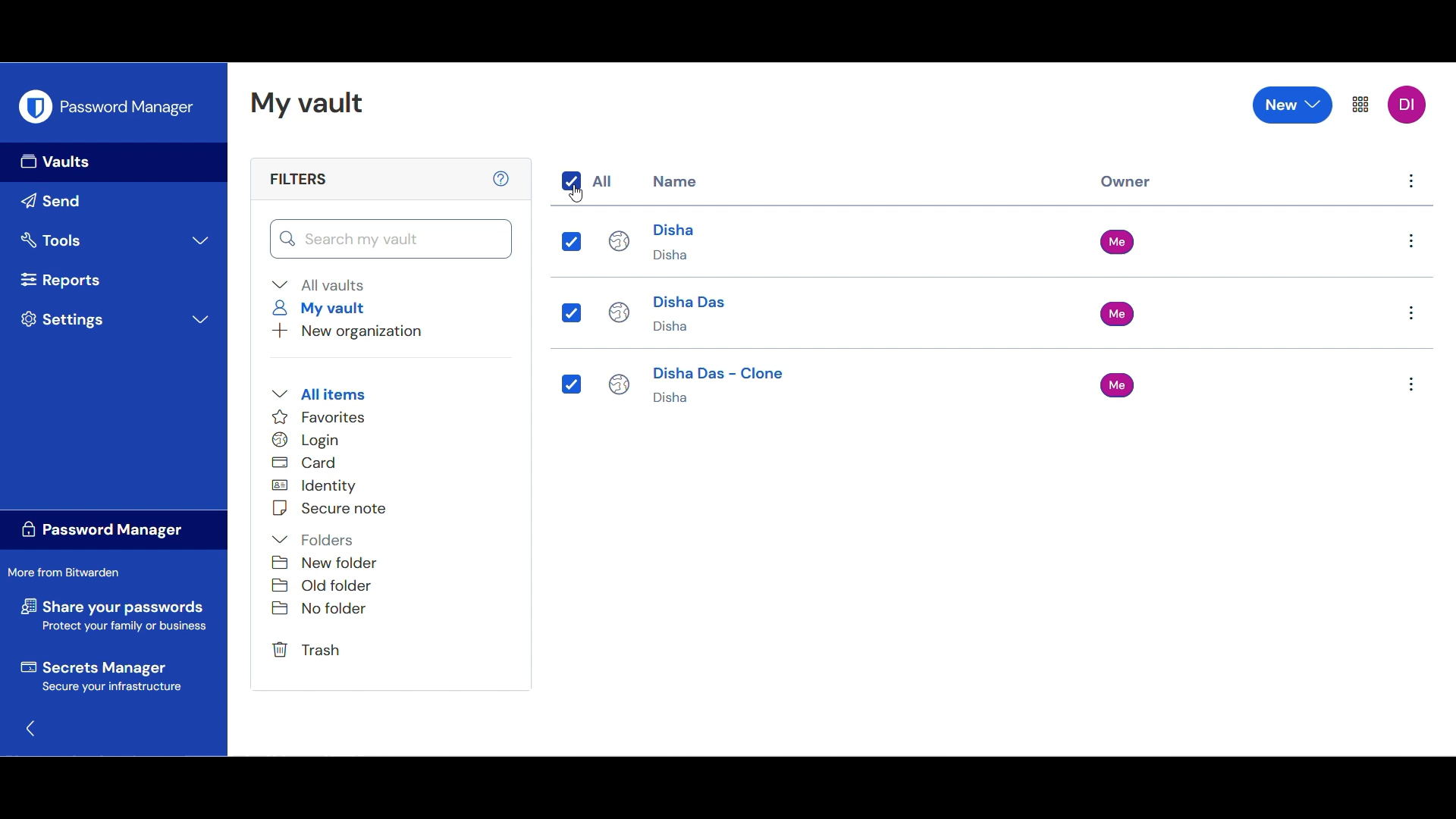 The width and height of the screenshot is (1456, 819). What do you see at coordinates (1413, 185) in the screenshot?
I see `Settings for each item respectively` at bounding box center [1413, 185].